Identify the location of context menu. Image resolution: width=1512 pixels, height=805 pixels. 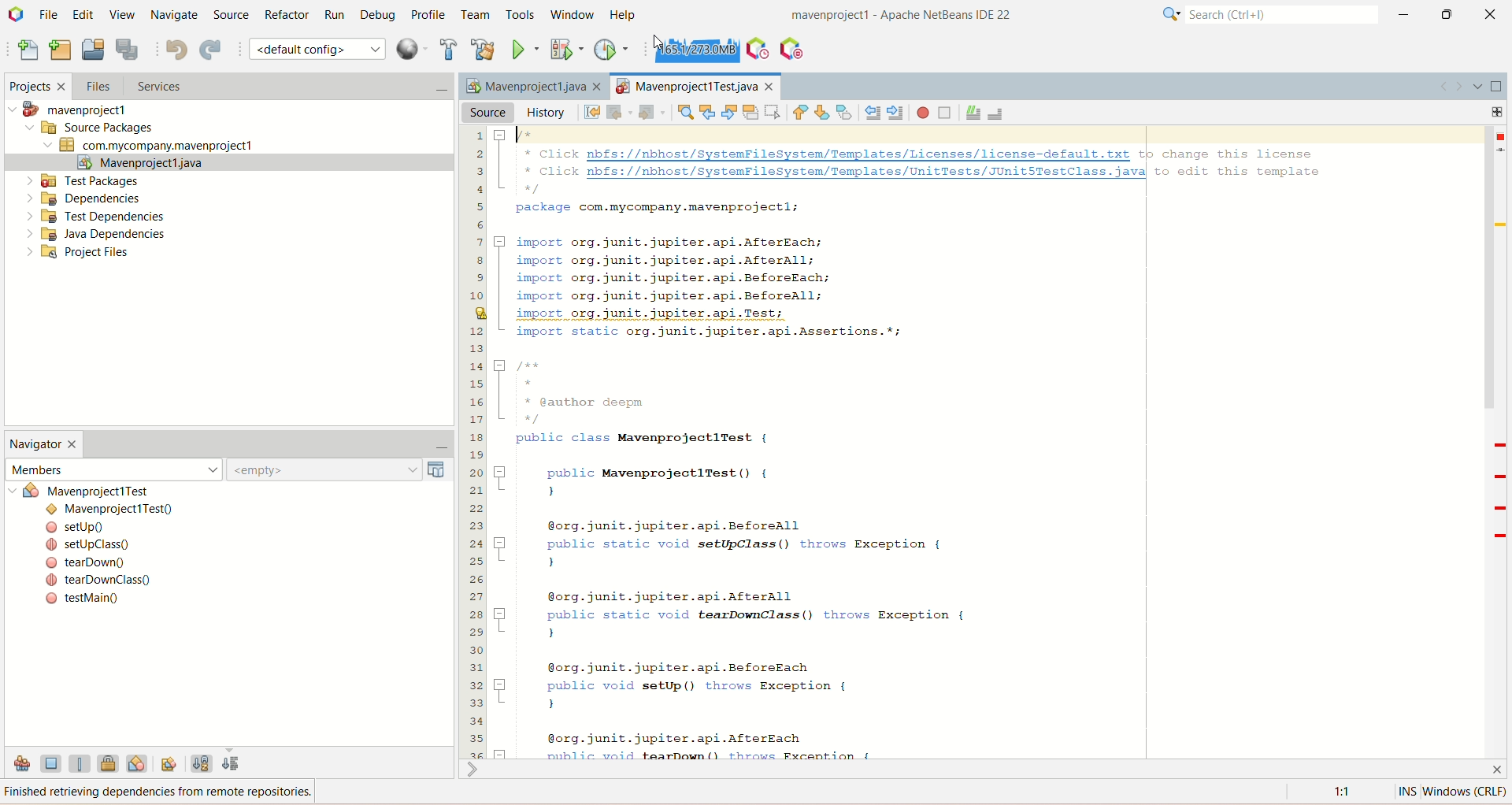
(412, 49).